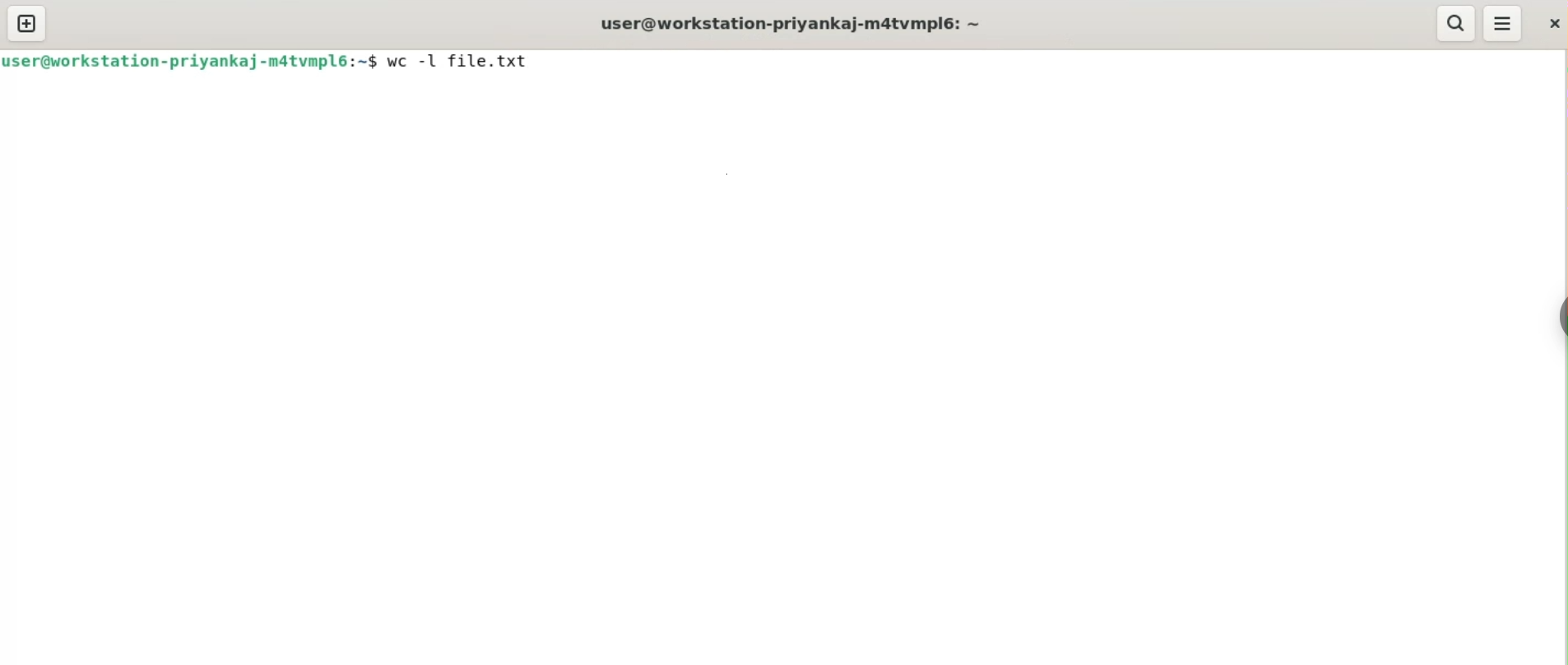 The height and width of the screenshot is (665, 1568). I want to click on wc -l file.txt, so click(462, 61).